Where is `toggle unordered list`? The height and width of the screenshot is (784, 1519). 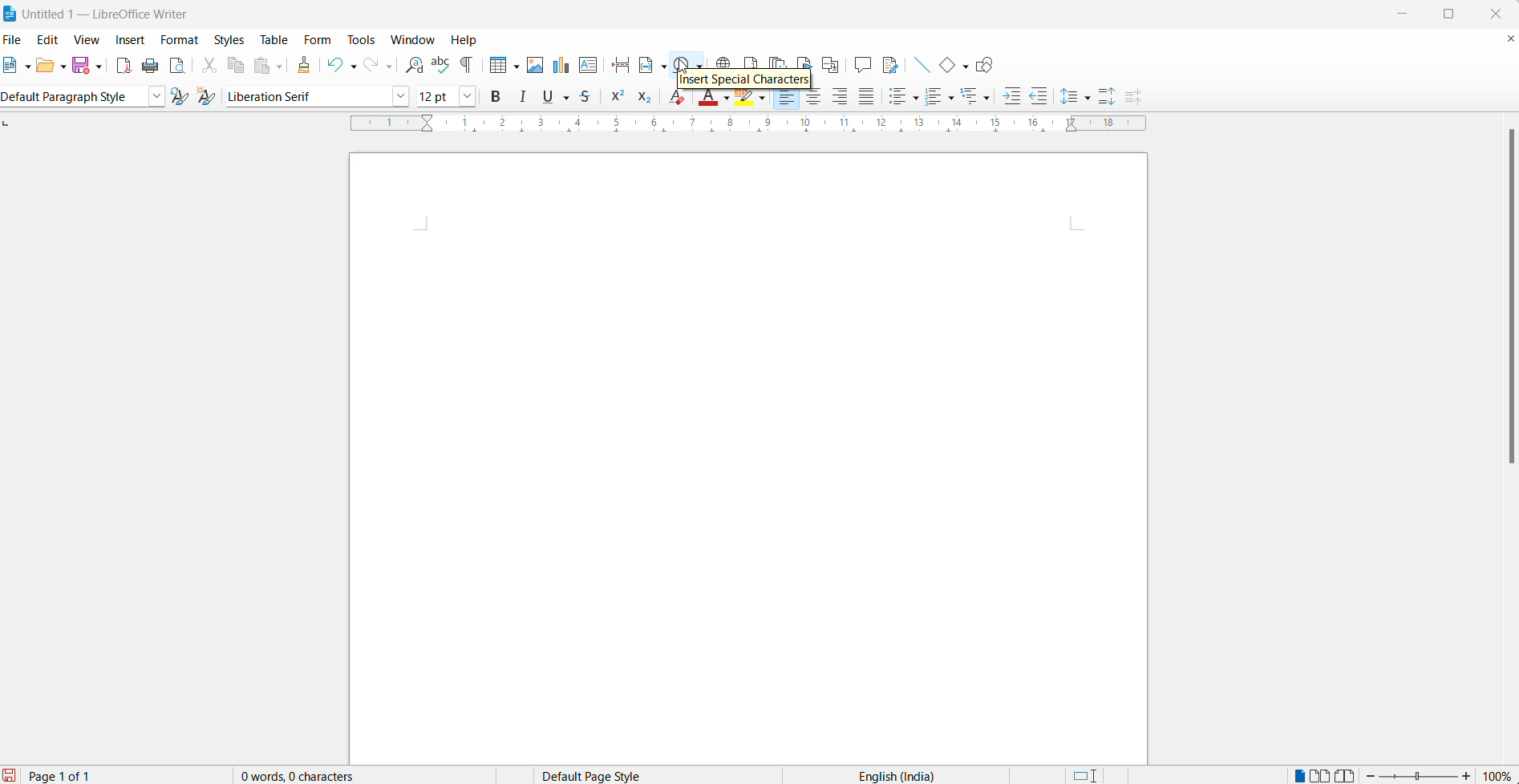 toggle unordered list is located at coordinates (897, 98).